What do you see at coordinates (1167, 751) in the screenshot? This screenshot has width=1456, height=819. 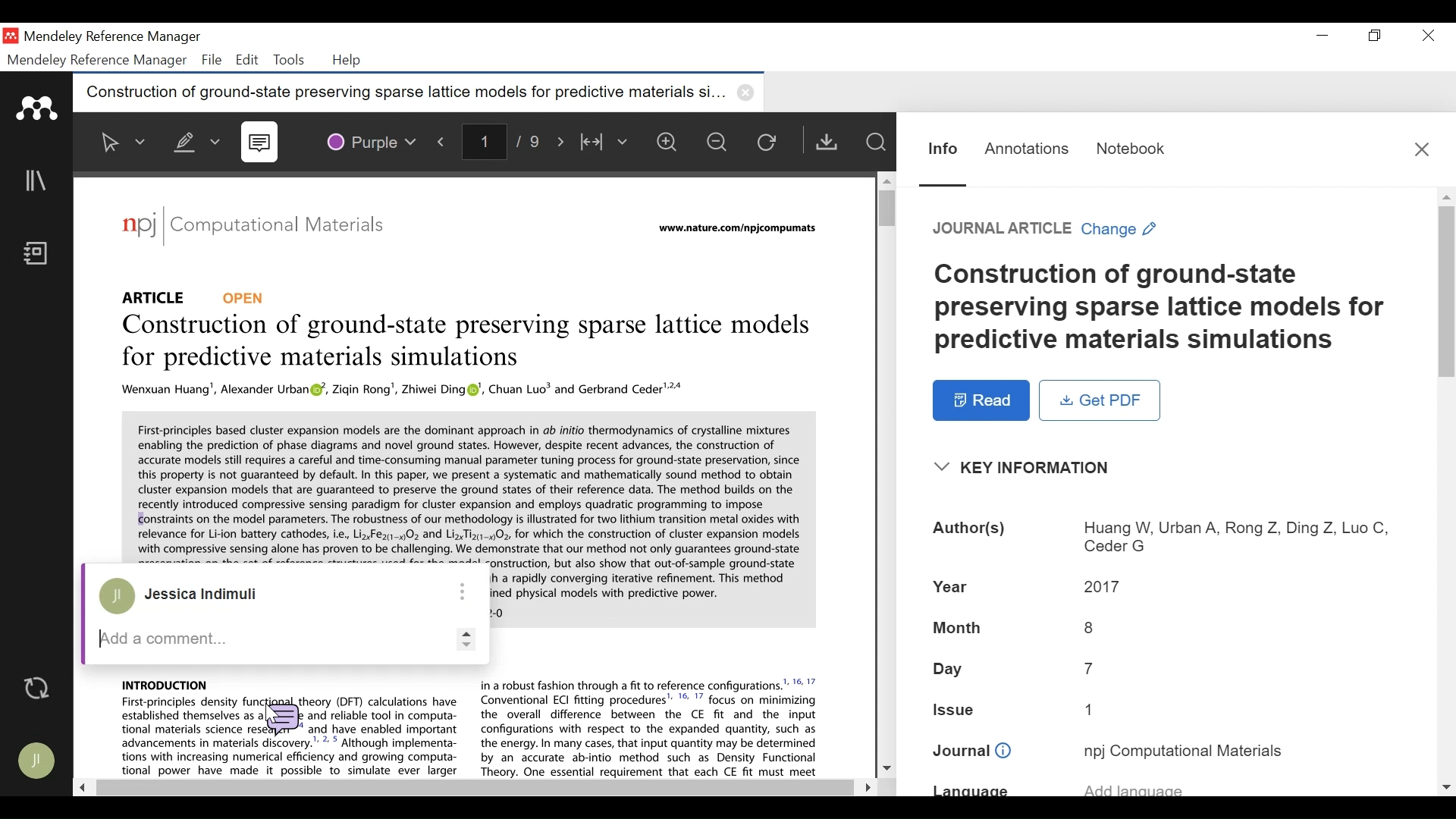 I see `Journal` at bounding box center [1167, 751].